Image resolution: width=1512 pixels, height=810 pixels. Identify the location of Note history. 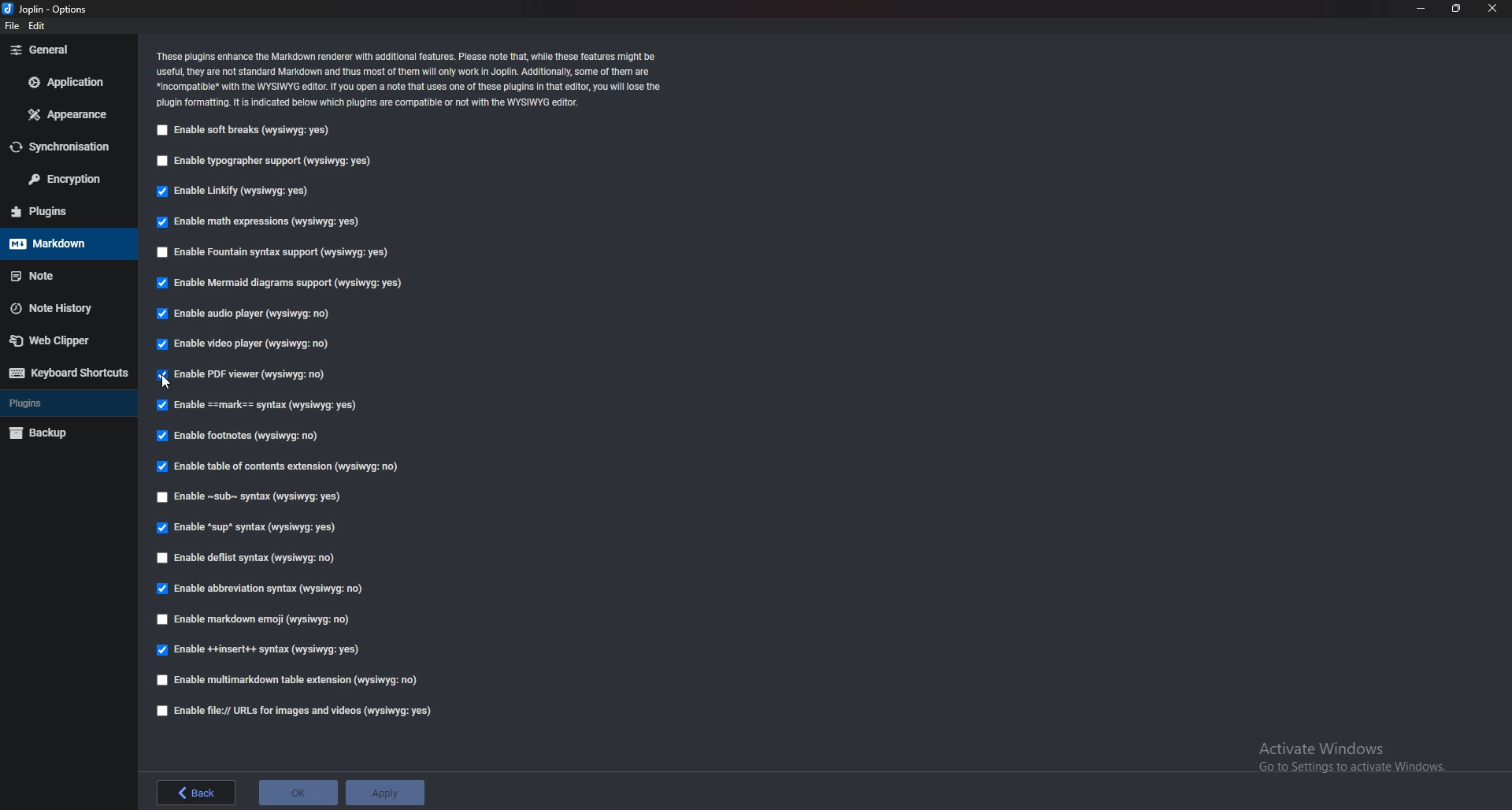
(61, 308).